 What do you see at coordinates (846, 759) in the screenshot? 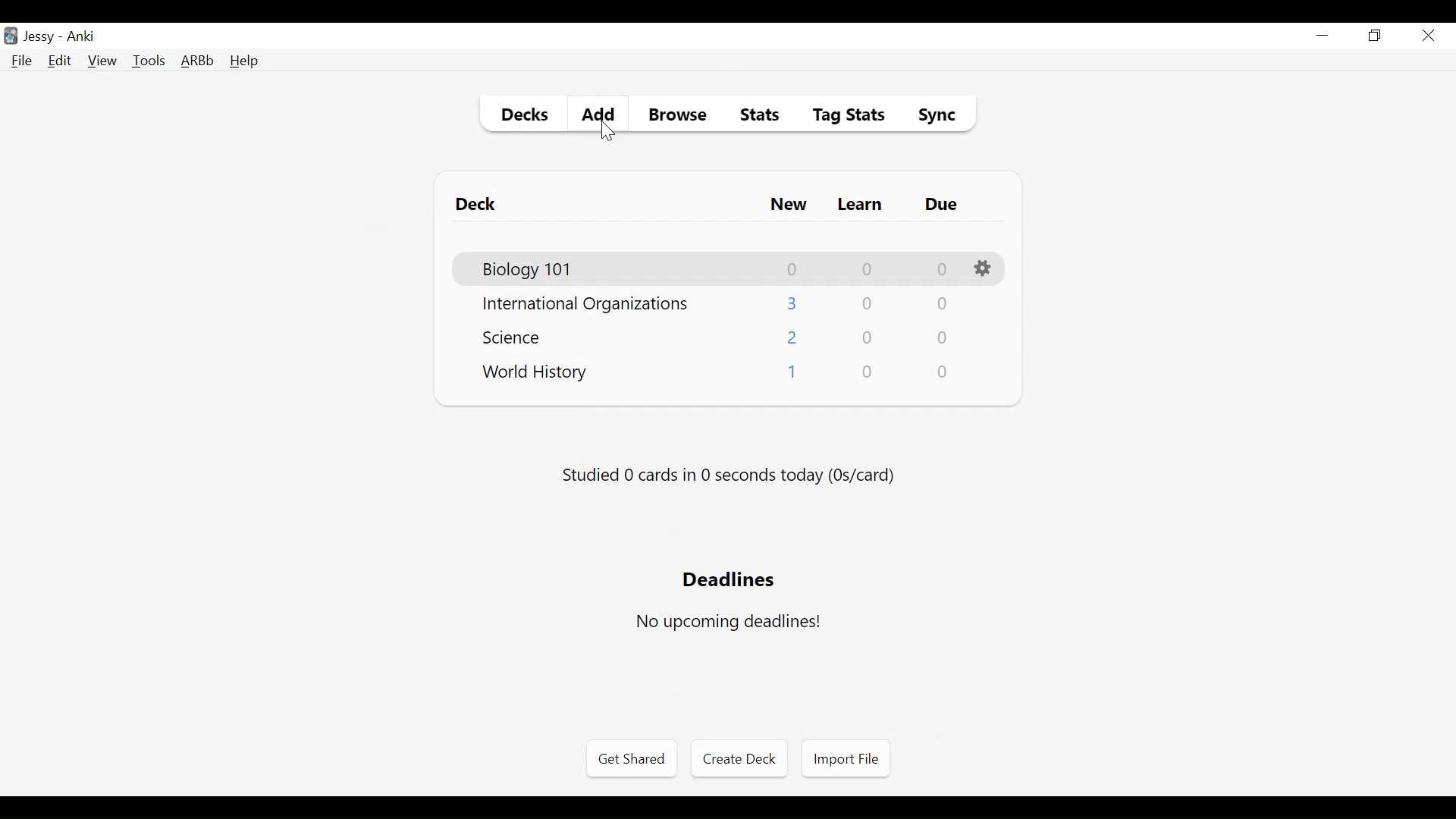
I see `Import File` at bounding box center [846, 759].